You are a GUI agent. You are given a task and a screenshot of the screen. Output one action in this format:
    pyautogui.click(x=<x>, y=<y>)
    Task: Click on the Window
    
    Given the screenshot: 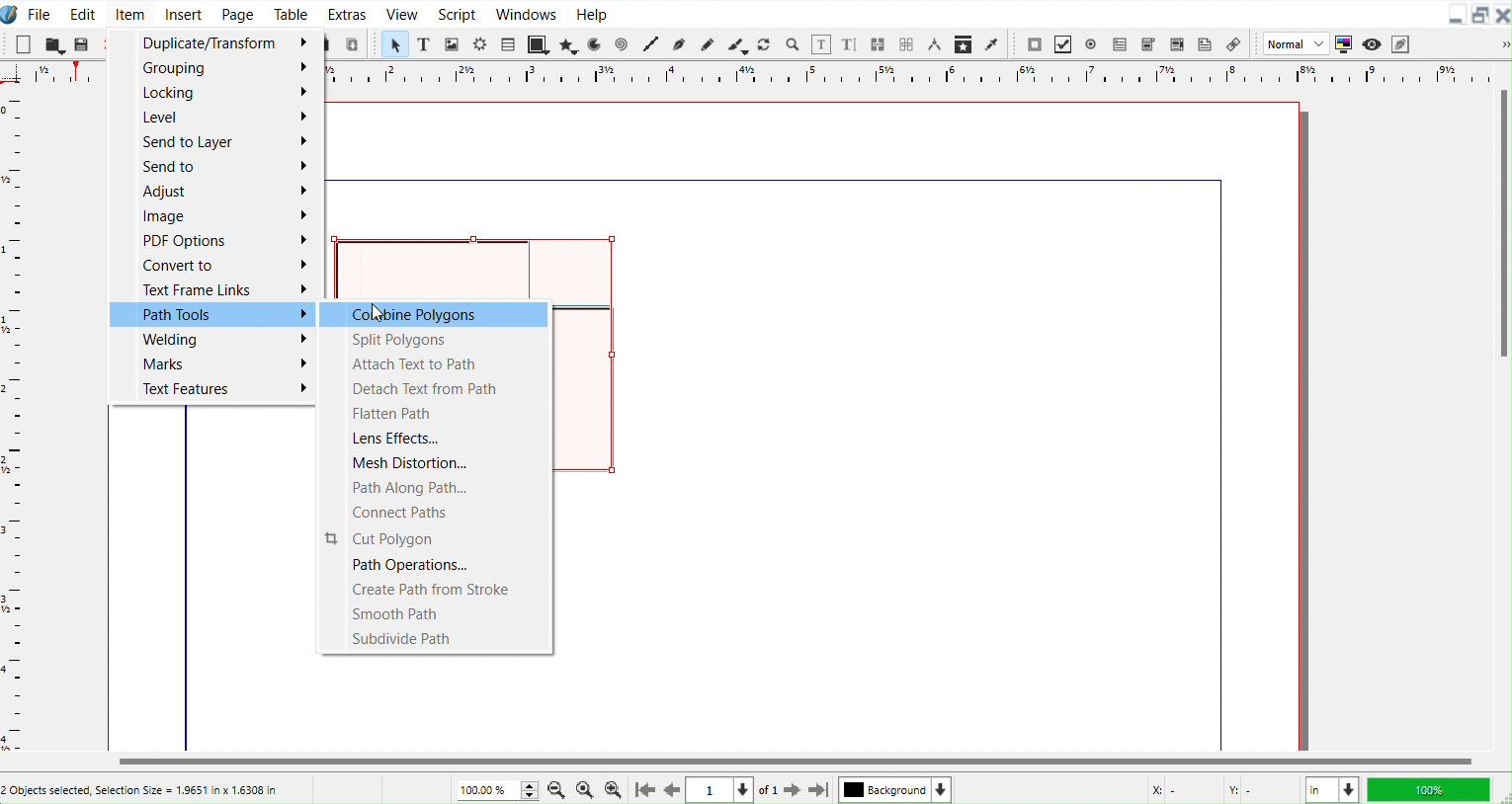 What is the action you would take?
    pyautogui.click(x=527, y=13)
    